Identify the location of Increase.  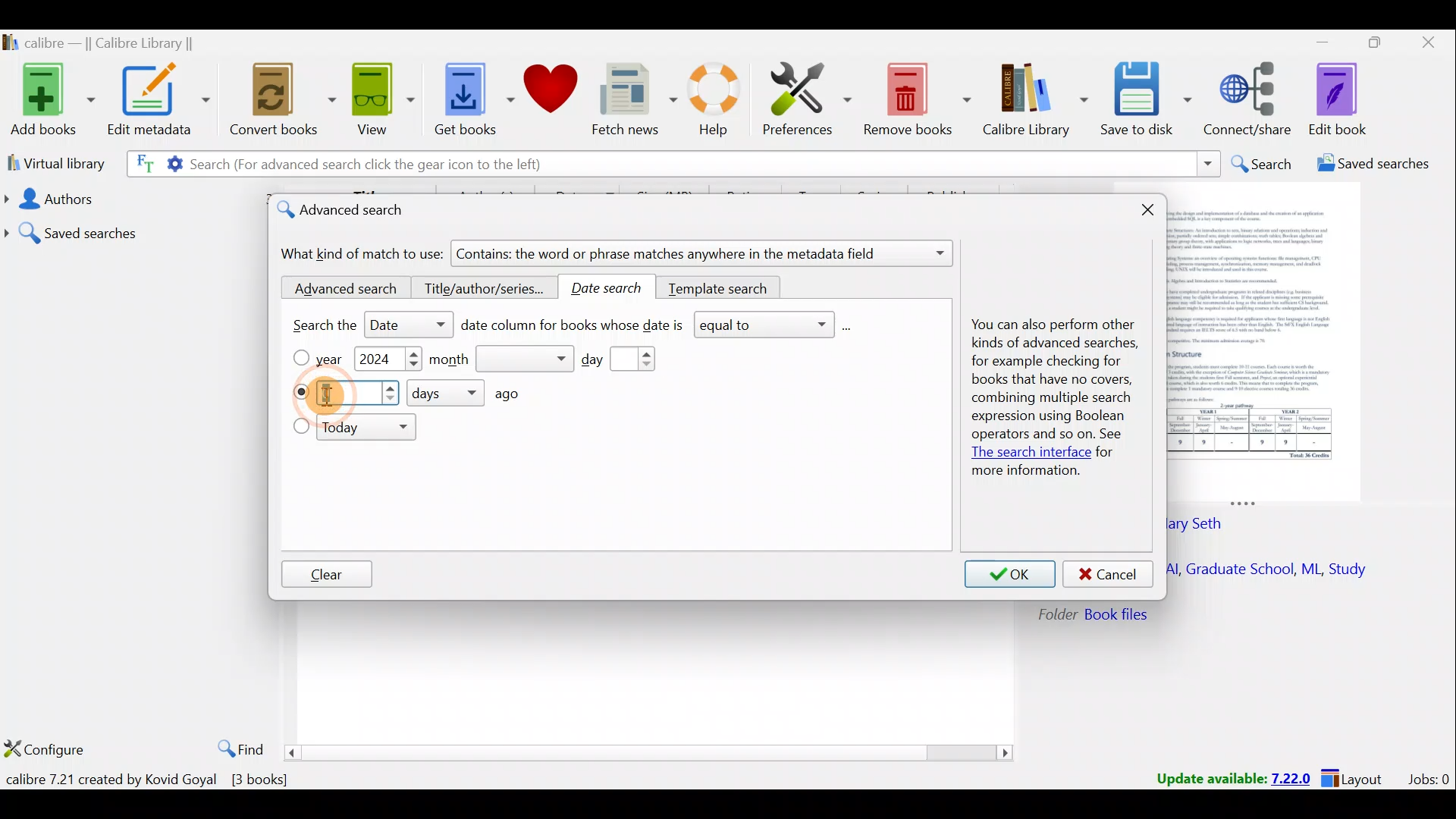
(413, 354).